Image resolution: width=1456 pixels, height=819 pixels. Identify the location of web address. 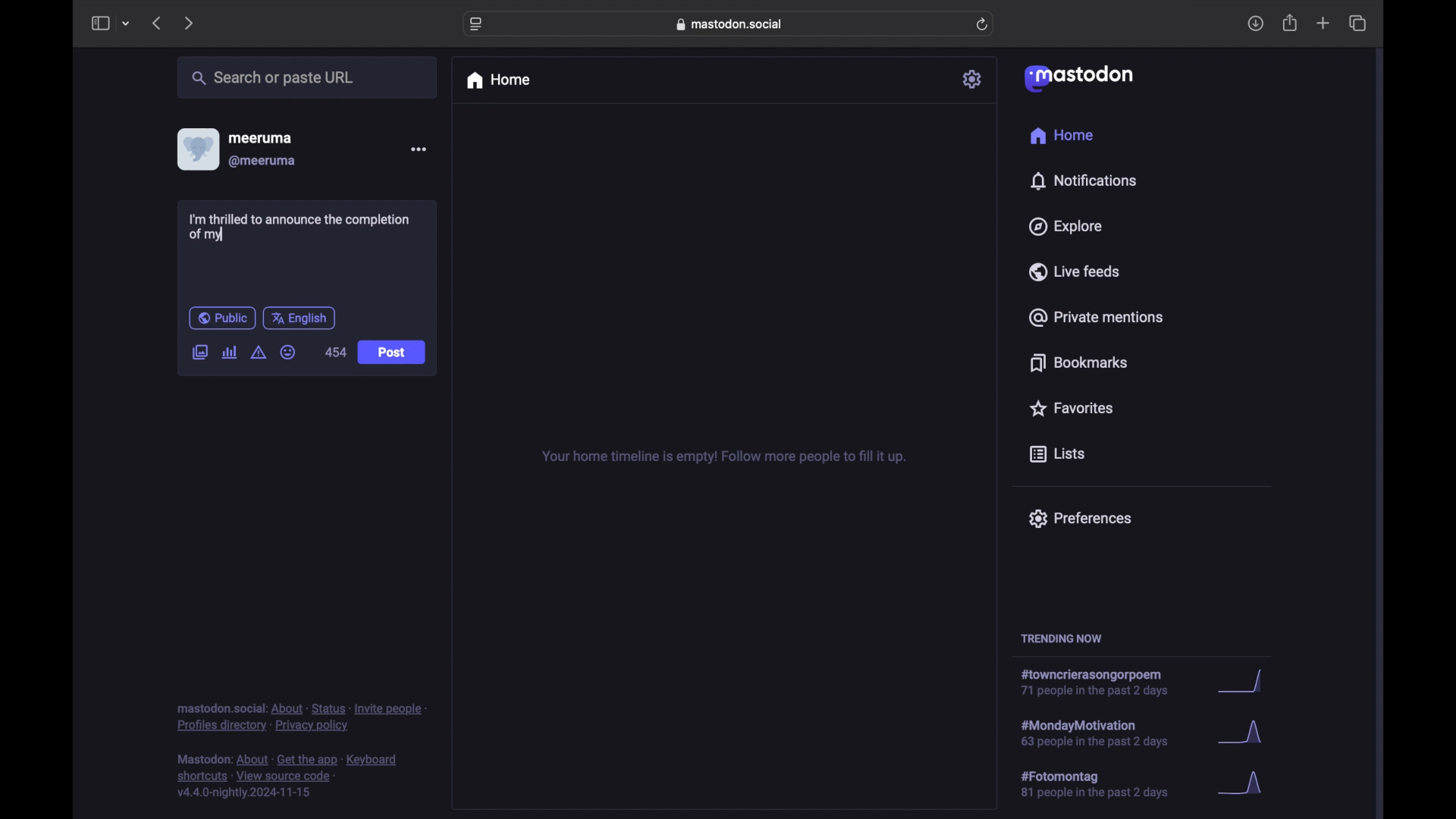
(730, 24).